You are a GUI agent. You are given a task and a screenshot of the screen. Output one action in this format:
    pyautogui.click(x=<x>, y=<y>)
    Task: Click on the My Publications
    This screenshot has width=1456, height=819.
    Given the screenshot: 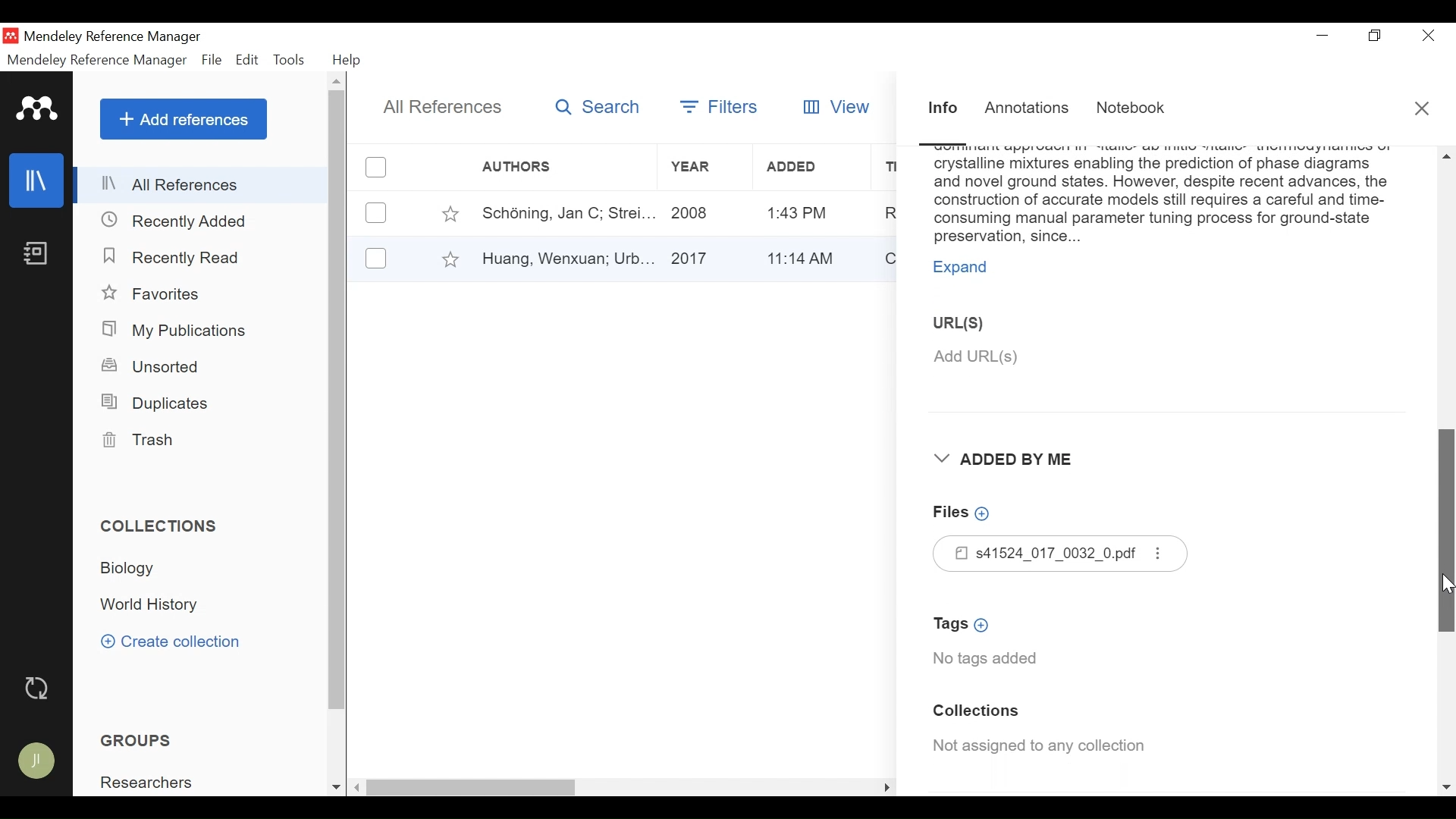 What is the action you would take?
    pyautogui.click(x=176, y=331)
    